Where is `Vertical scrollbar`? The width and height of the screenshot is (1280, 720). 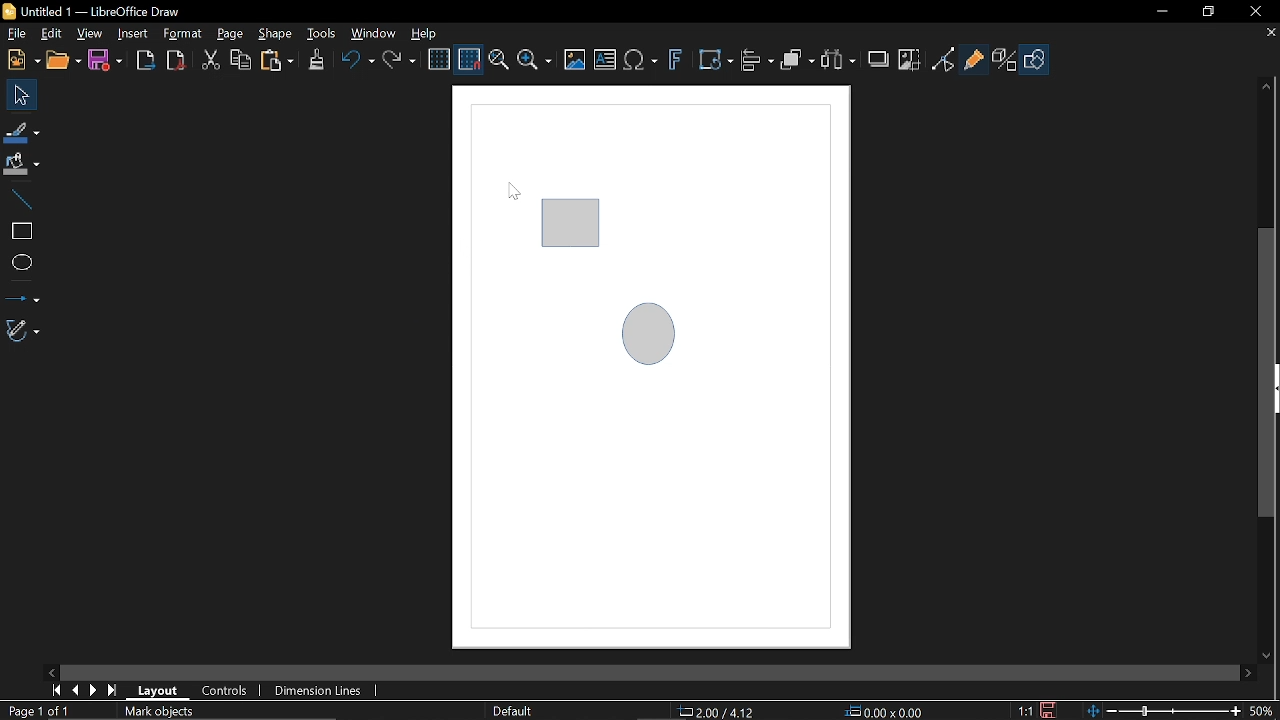
Vertical scrollbar is located at coordinates (1267, 374).